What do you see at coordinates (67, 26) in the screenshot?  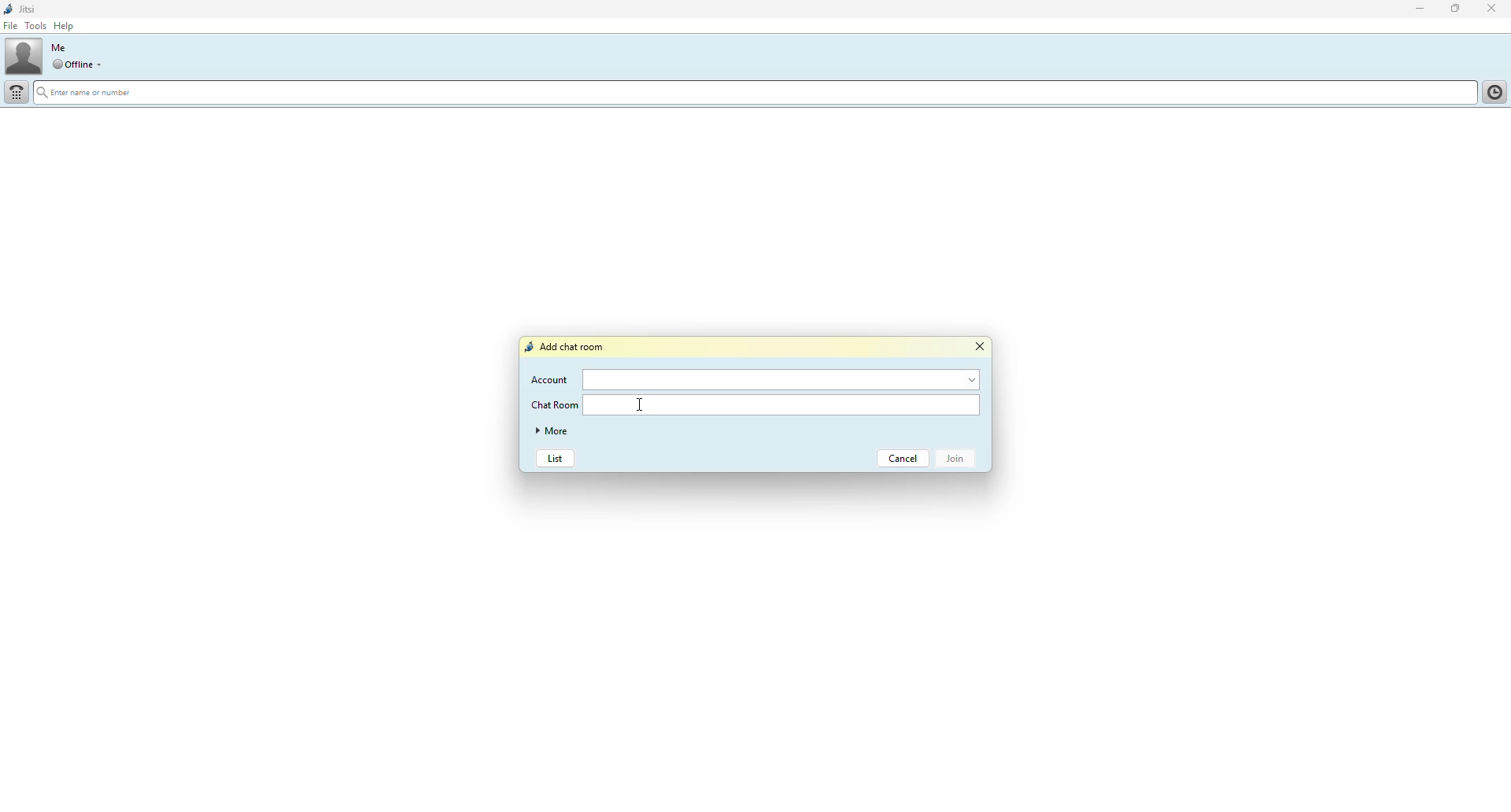 I see `help` at bounding box center [67, 26].